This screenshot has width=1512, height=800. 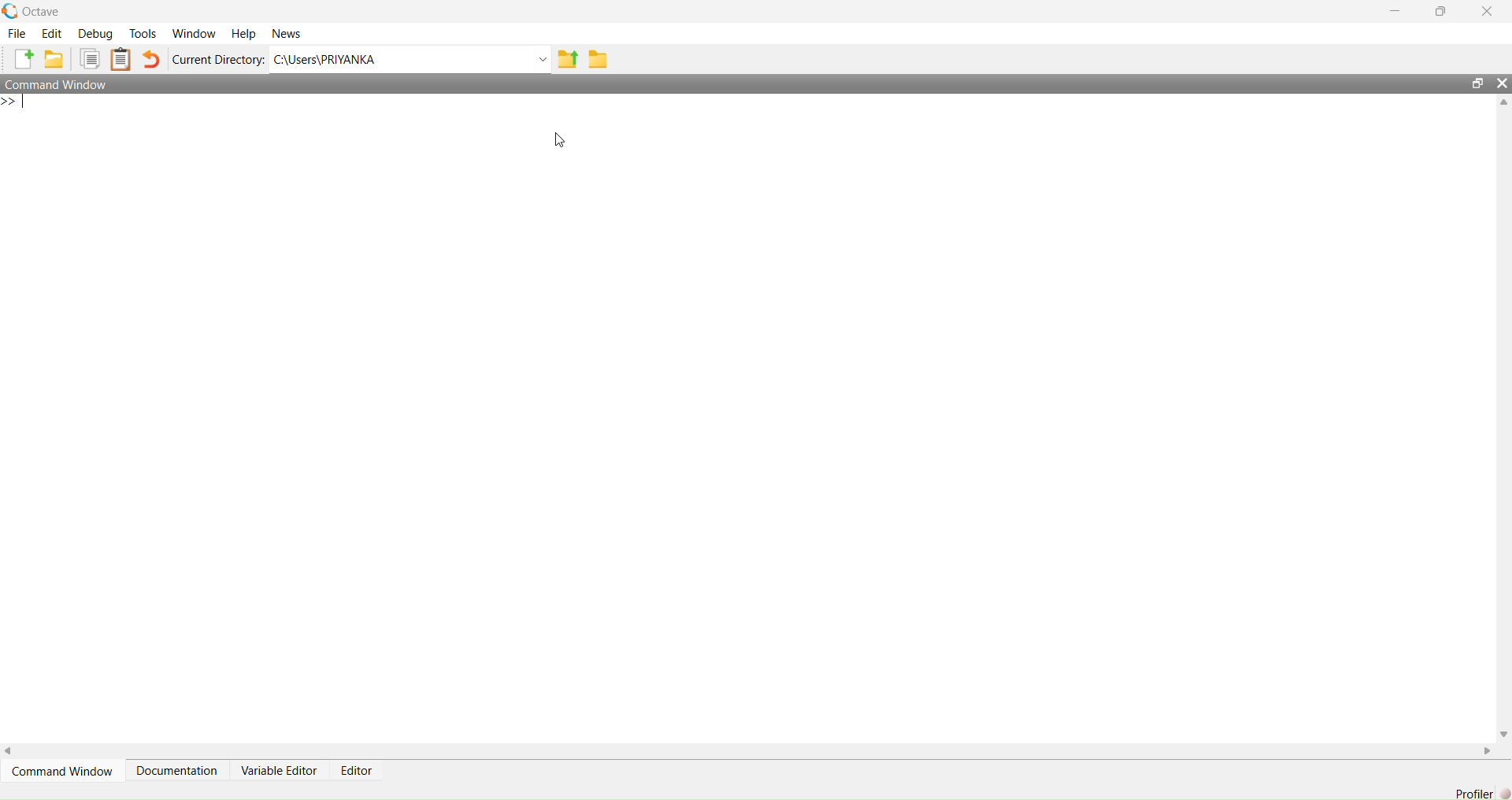 I want to click on Octave, so click(x=41, y=12).